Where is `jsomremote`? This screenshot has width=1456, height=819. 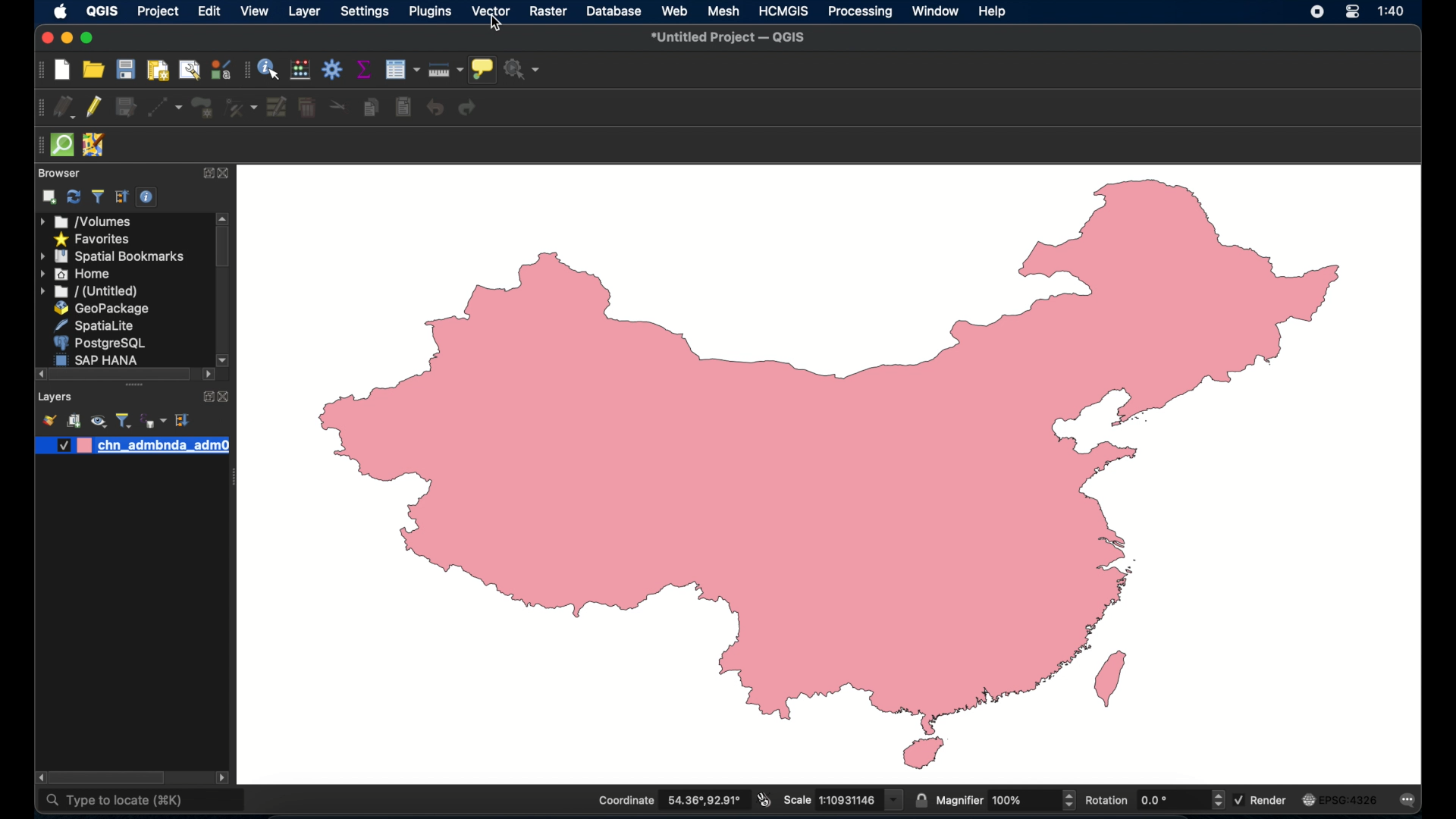
jsomremote is located at coordinates (95, 145).